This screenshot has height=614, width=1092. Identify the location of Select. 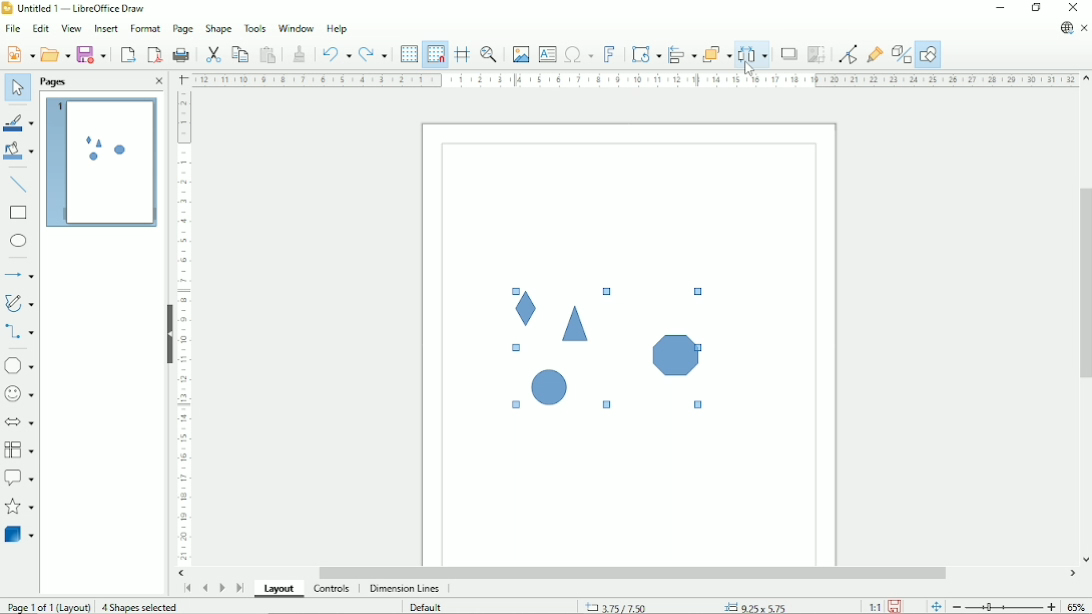
(15, 87).